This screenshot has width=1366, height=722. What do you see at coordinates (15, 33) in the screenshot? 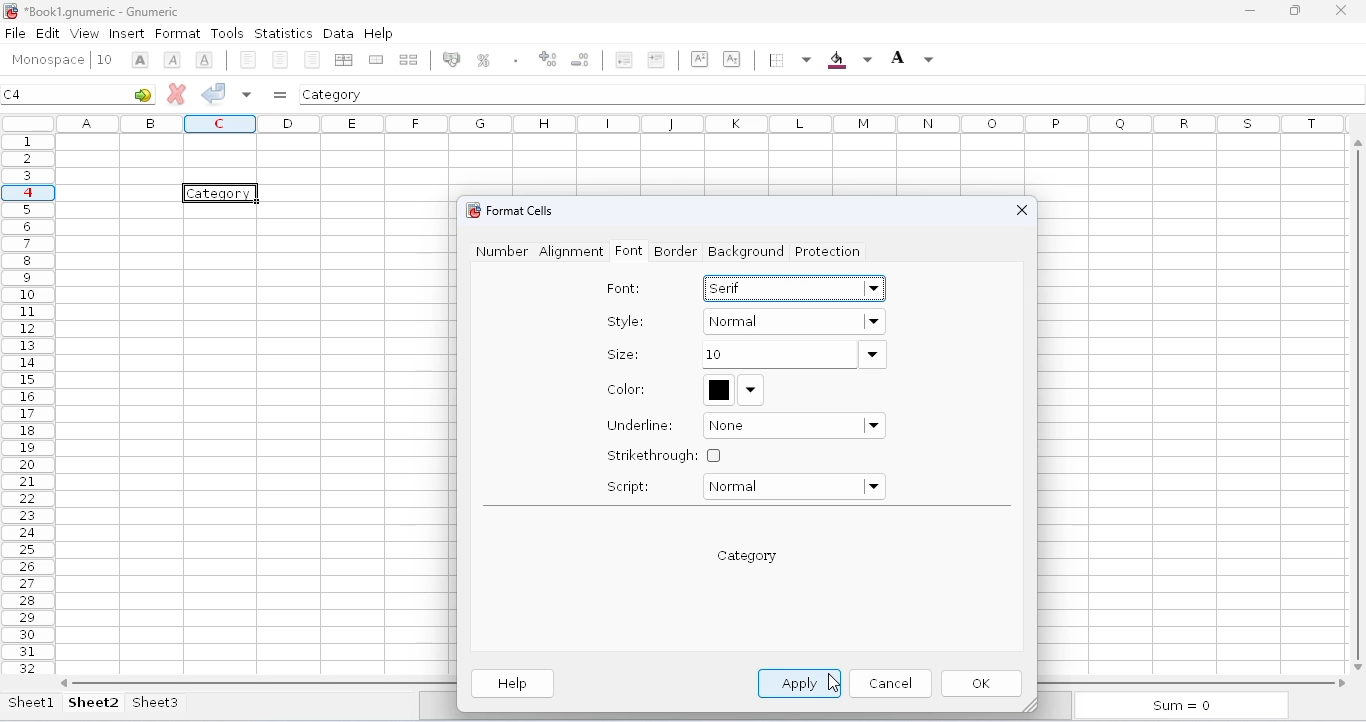
I see `file` at bounding box center [15, 33].